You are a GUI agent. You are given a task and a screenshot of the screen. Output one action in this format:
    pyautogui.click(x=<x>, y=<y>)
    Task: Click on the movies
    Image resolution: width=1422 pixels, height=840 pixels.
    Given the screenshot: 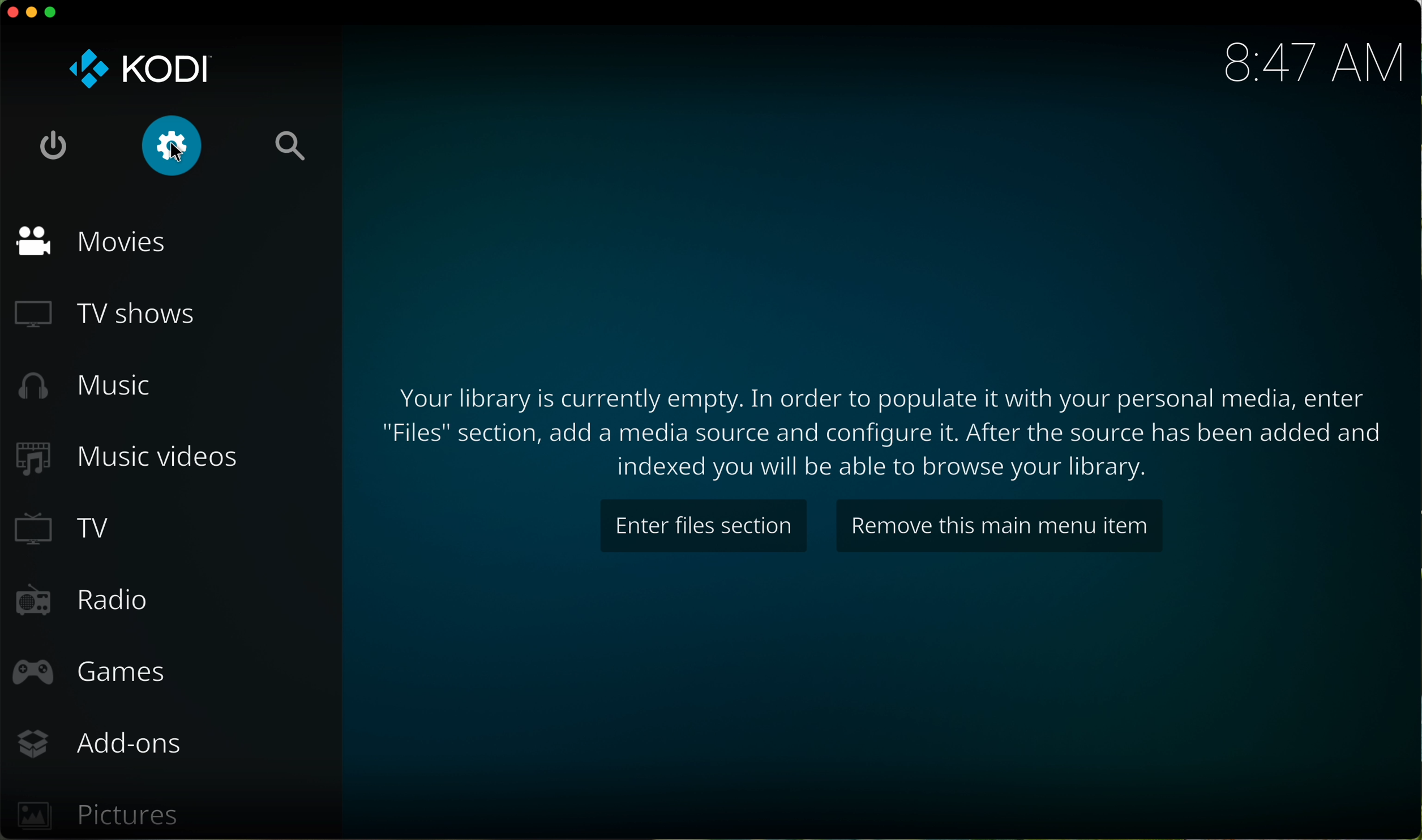 What is the action you would take?
    pyautogui.click(x=88, y=241)
    